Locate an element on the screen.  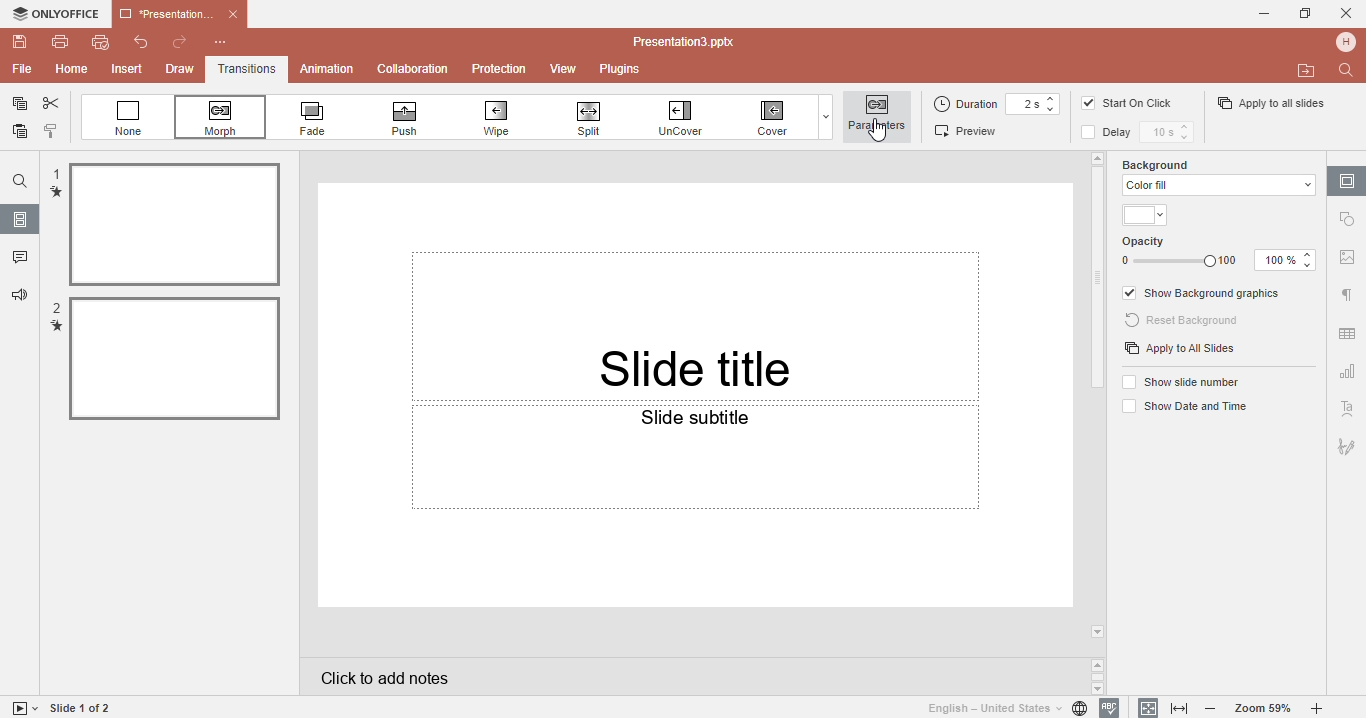
Scroll buttons is located at coordinates (1099, 676).